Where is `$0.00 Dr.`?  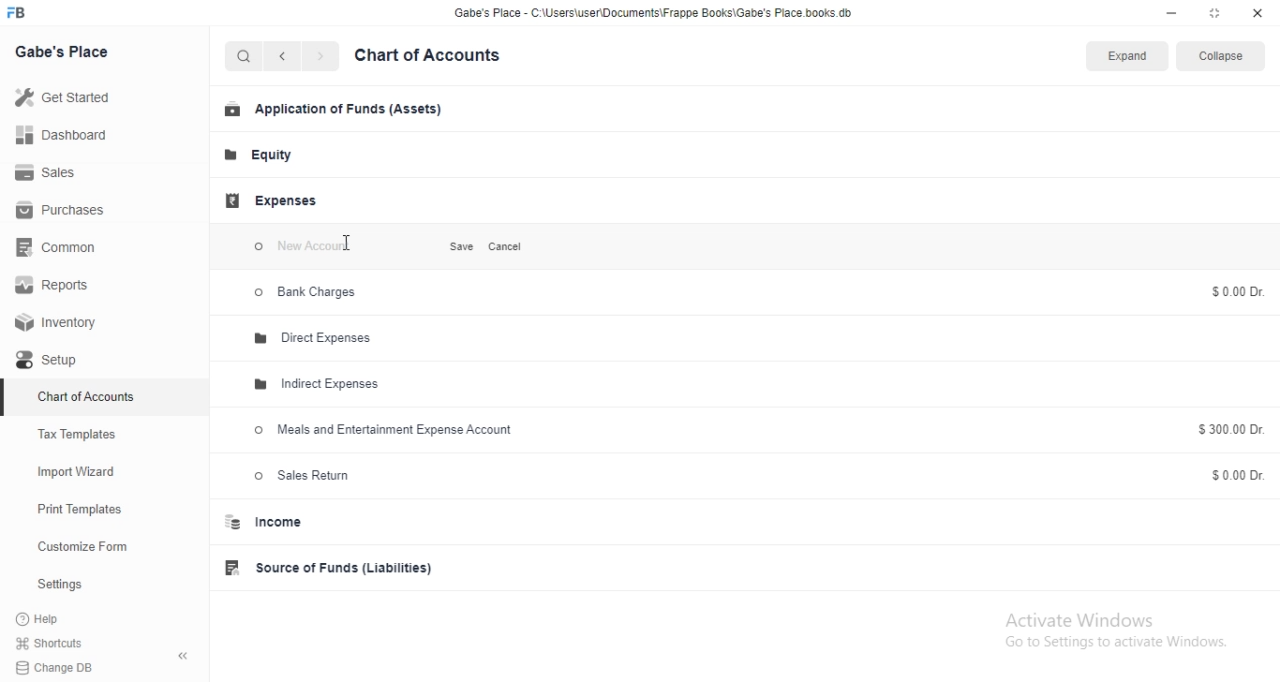
$0.00 Dr. is located at coordinates (1237, 474).